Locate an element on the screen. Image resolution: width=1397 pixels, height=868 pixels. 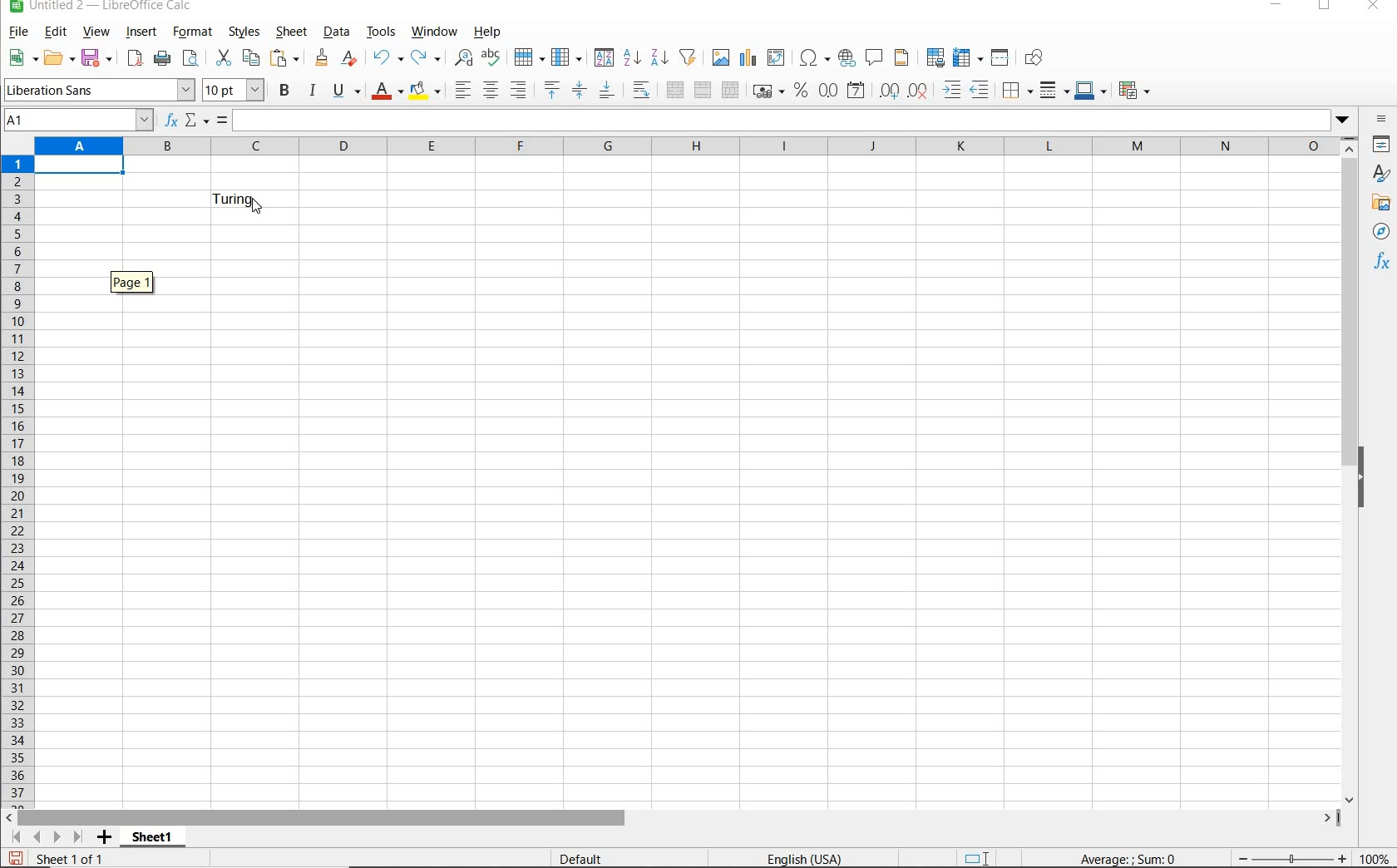
UNDERLINE is located at coordinates (348, 92).